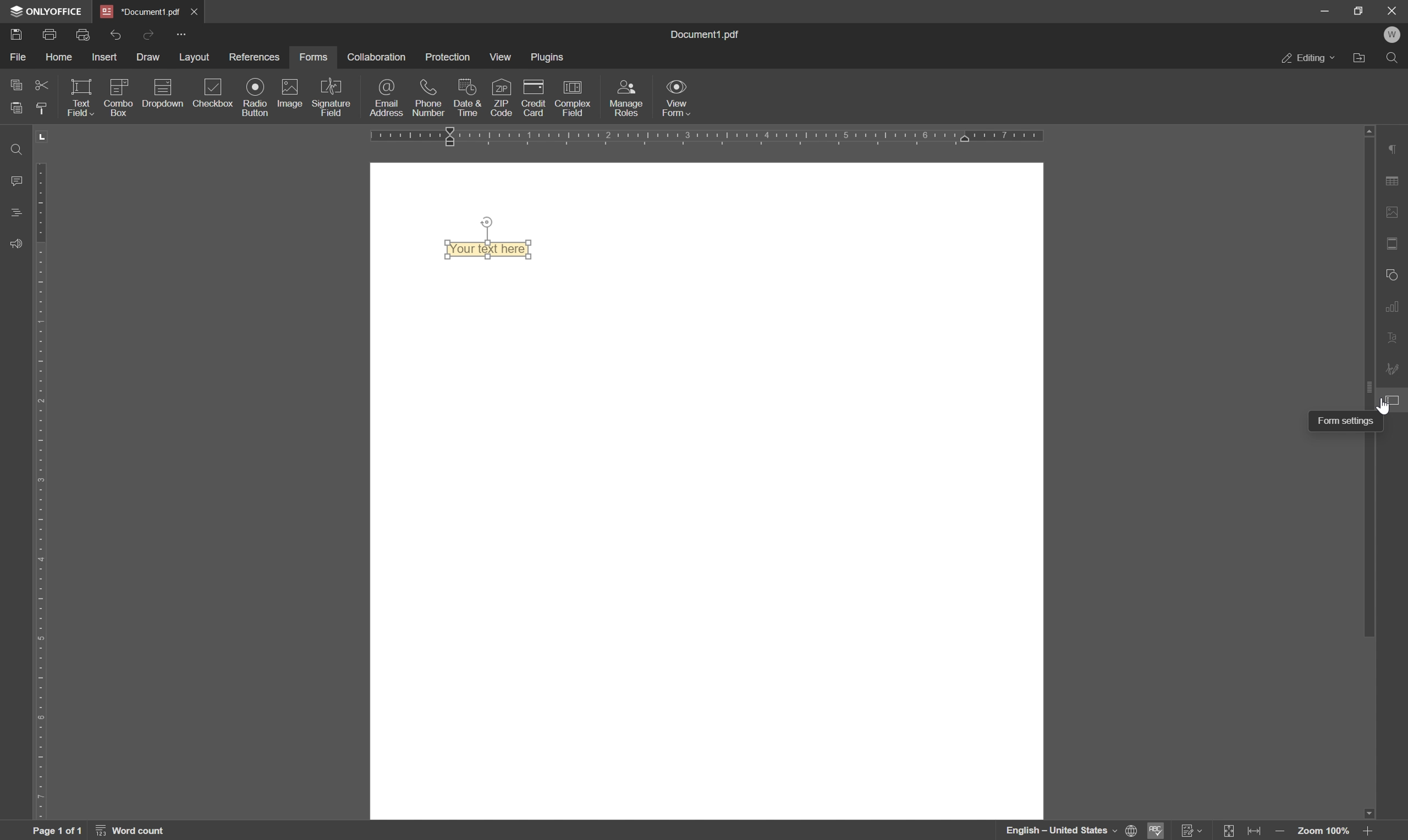 This screenshot has height=840, width=1408. What do you see at coordinates (490, 248) in the screenshot?
I see `Text field` at bounding box center [490, 248].